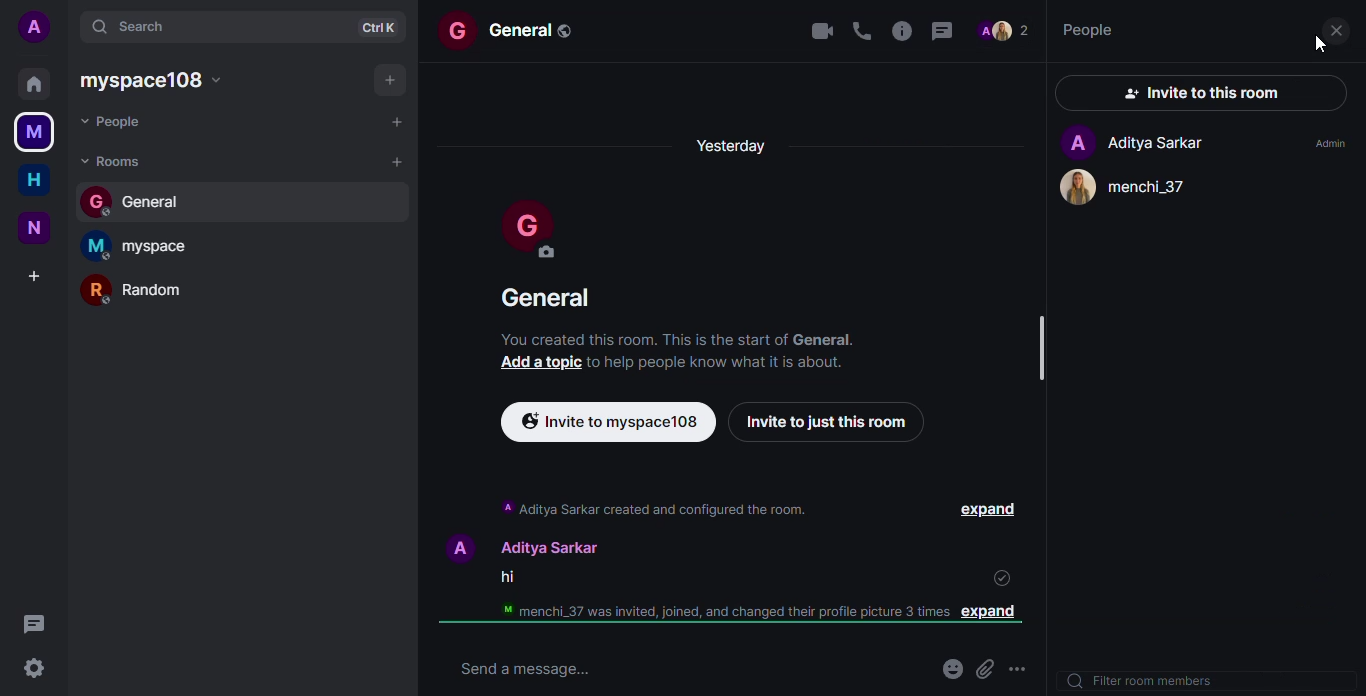 Image resolution: width=1366 pixels, height=696 pixels. What do you see at coordinates (1090, 30) in the screenshot?
I see `people` at bounding box center [1090, 30].